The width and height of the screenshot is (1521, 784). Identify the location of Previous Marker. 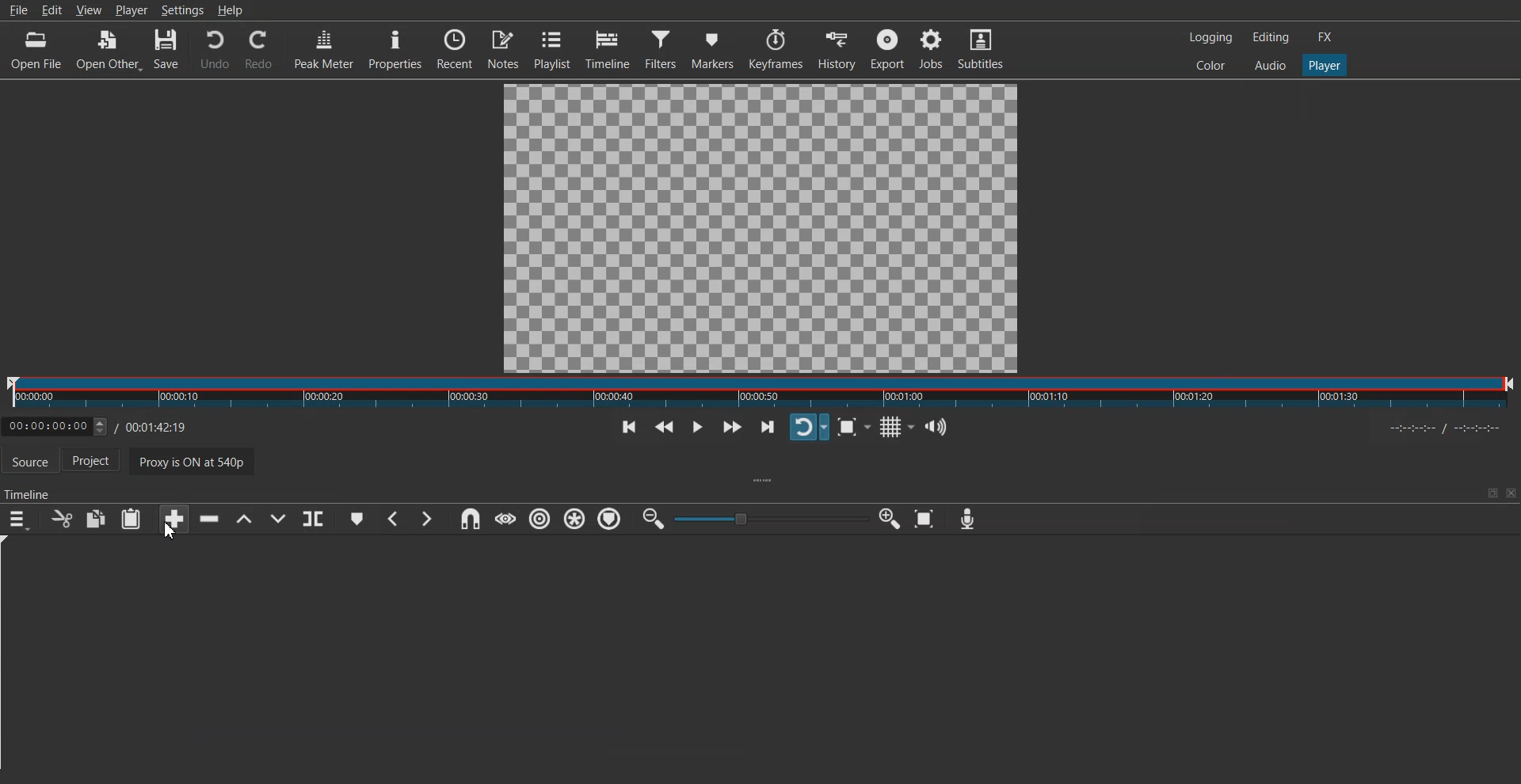
(395, 519).